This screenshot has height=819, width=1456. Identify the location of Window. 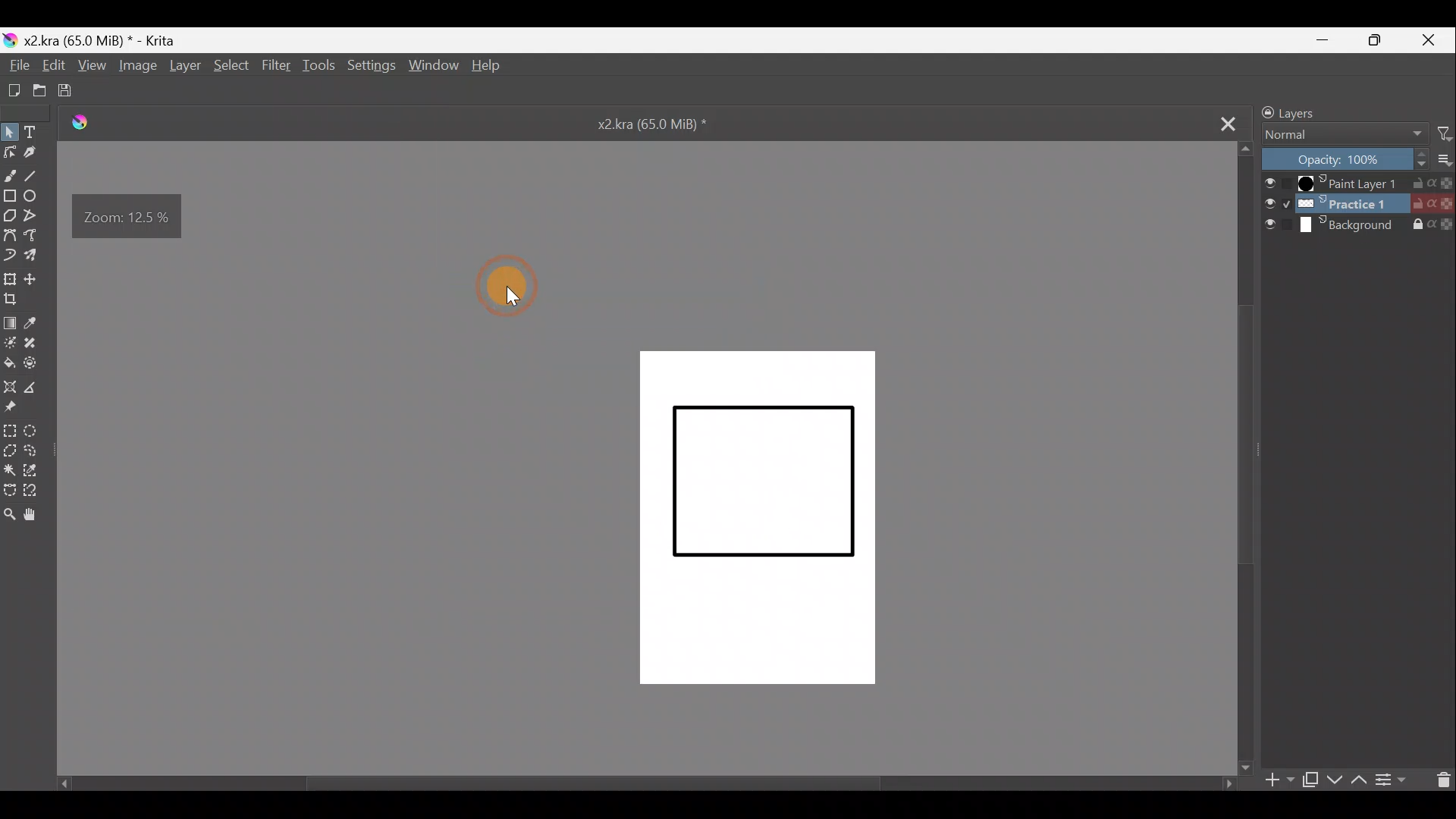
(429, 67).